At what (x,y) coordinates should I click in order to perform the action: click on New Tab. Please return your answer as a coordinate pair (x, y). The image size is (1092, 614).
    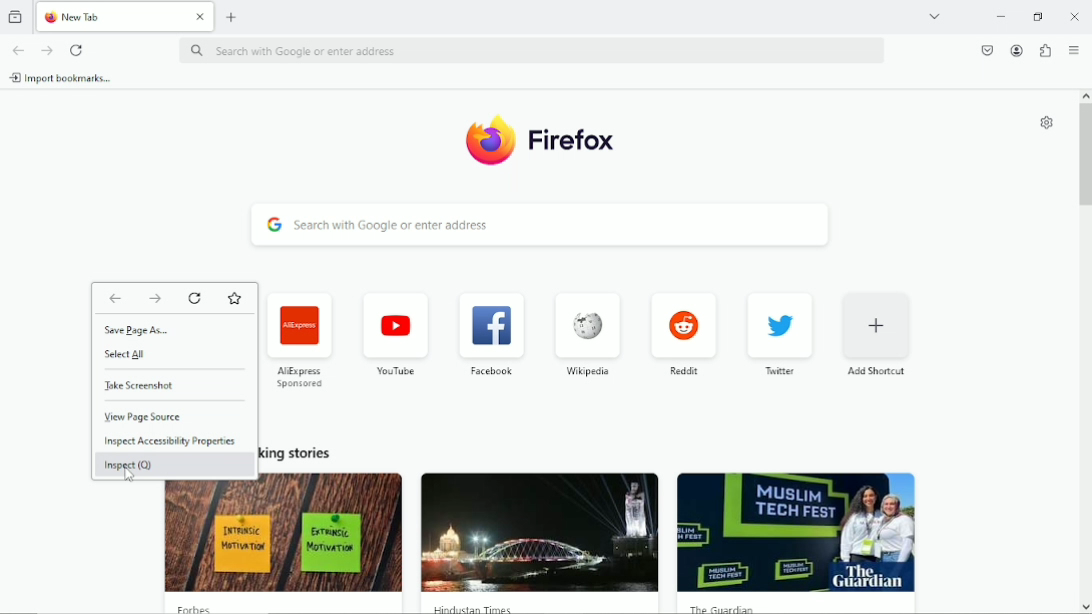
    Looking at the image, I should click on (110, 16).